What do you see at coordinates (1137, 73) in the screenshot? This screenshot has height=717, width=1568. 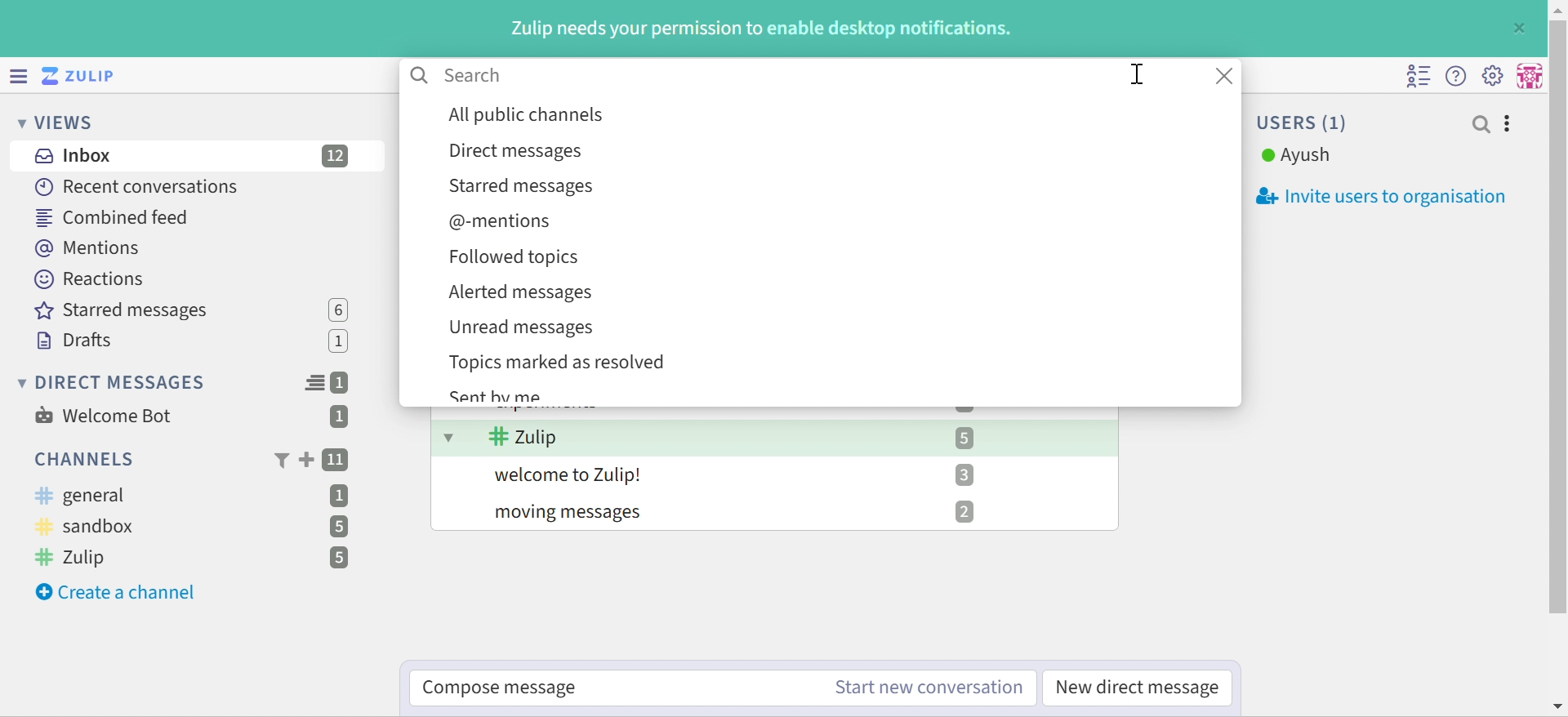 I see `Cursor` at bounding box center [1137, 73].